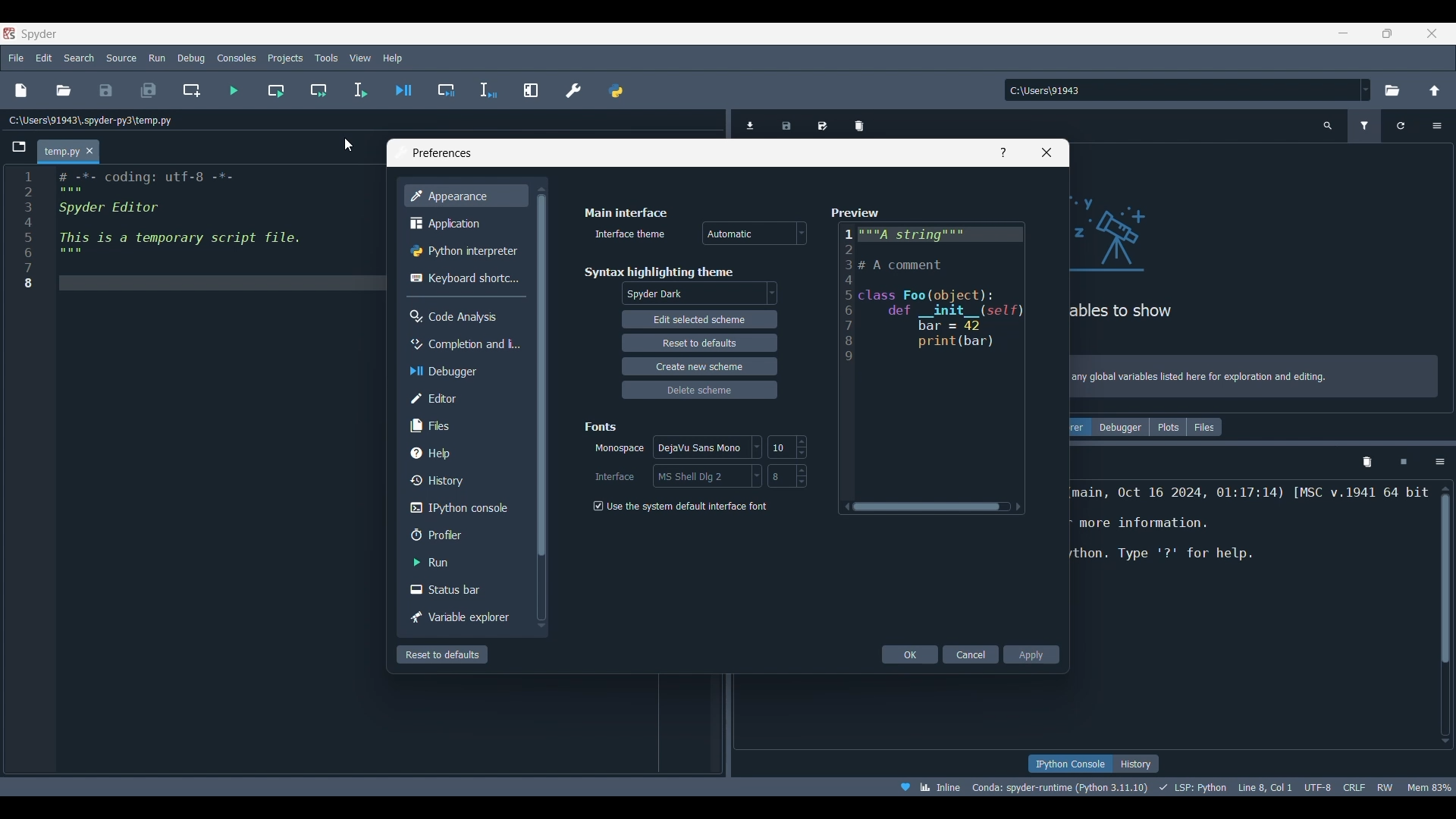 This screenshot has height=819, width=1456. Describe the element at coordinates (447, 591) in the screenshot. I see `Status bar` at that location.